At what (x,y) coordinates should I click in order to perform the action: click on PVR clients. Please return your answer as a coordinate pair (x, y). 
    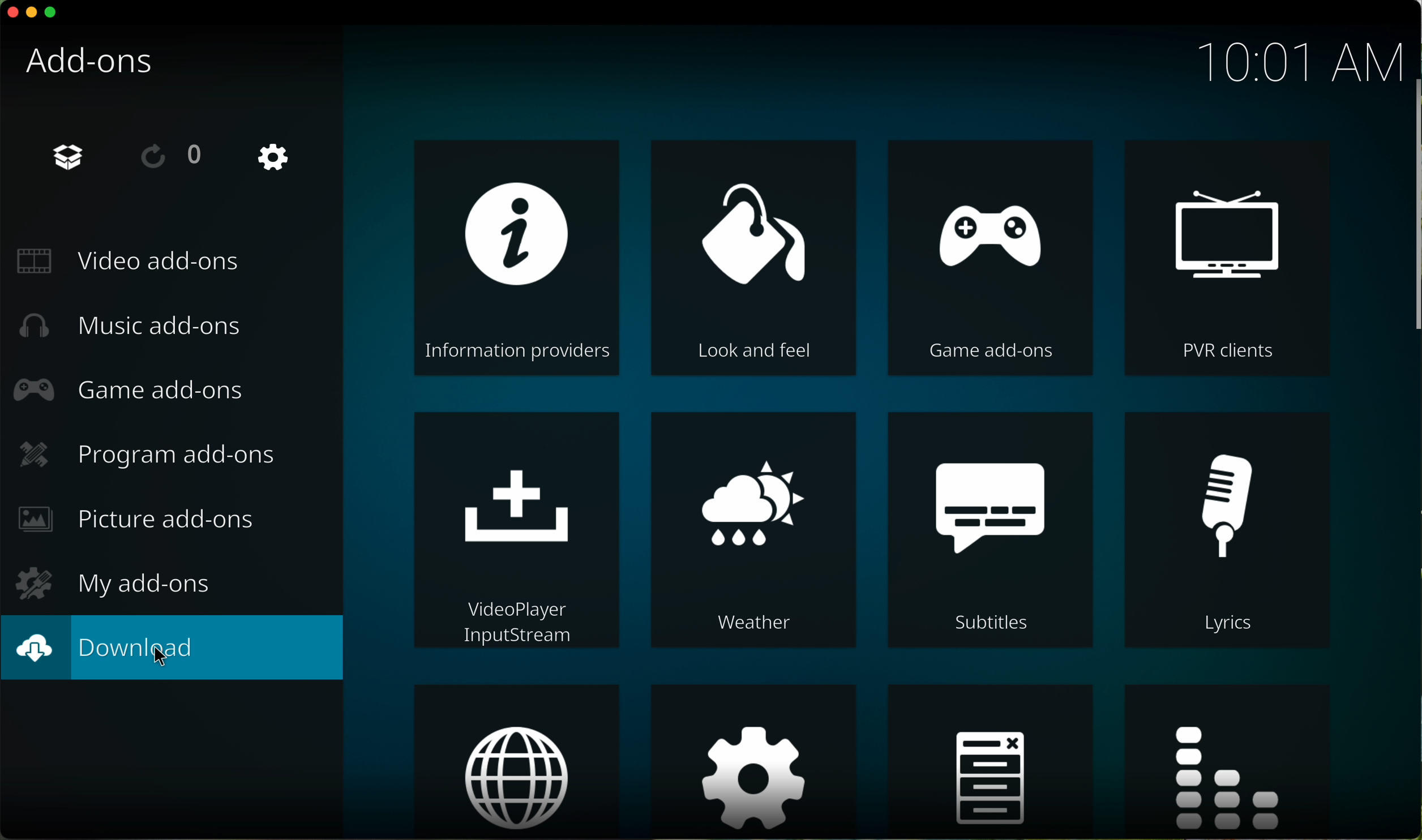
    Looking at the image, I should click on (1224, 257).